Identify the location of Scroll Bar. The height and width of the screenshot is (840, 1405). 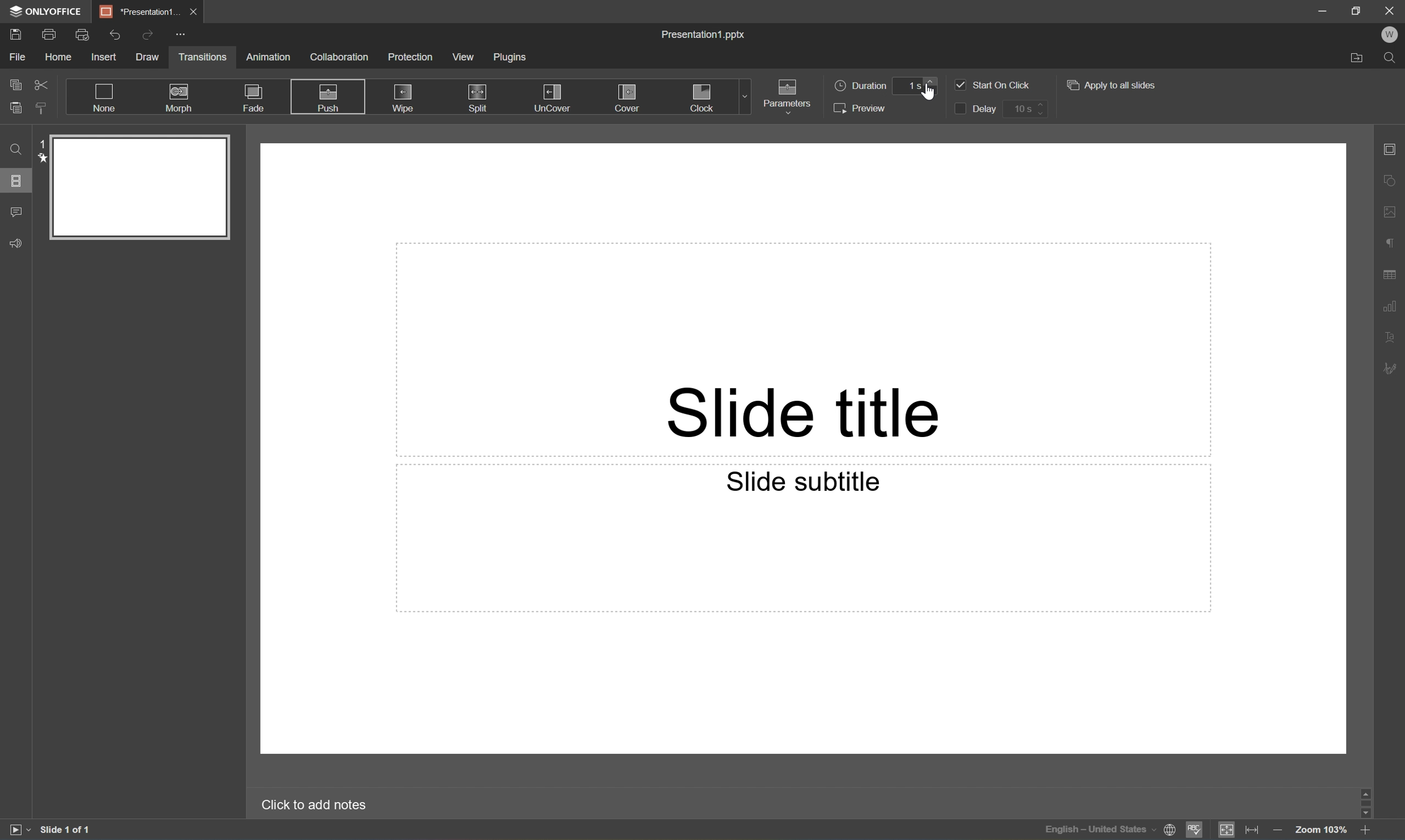
(1368, 803).